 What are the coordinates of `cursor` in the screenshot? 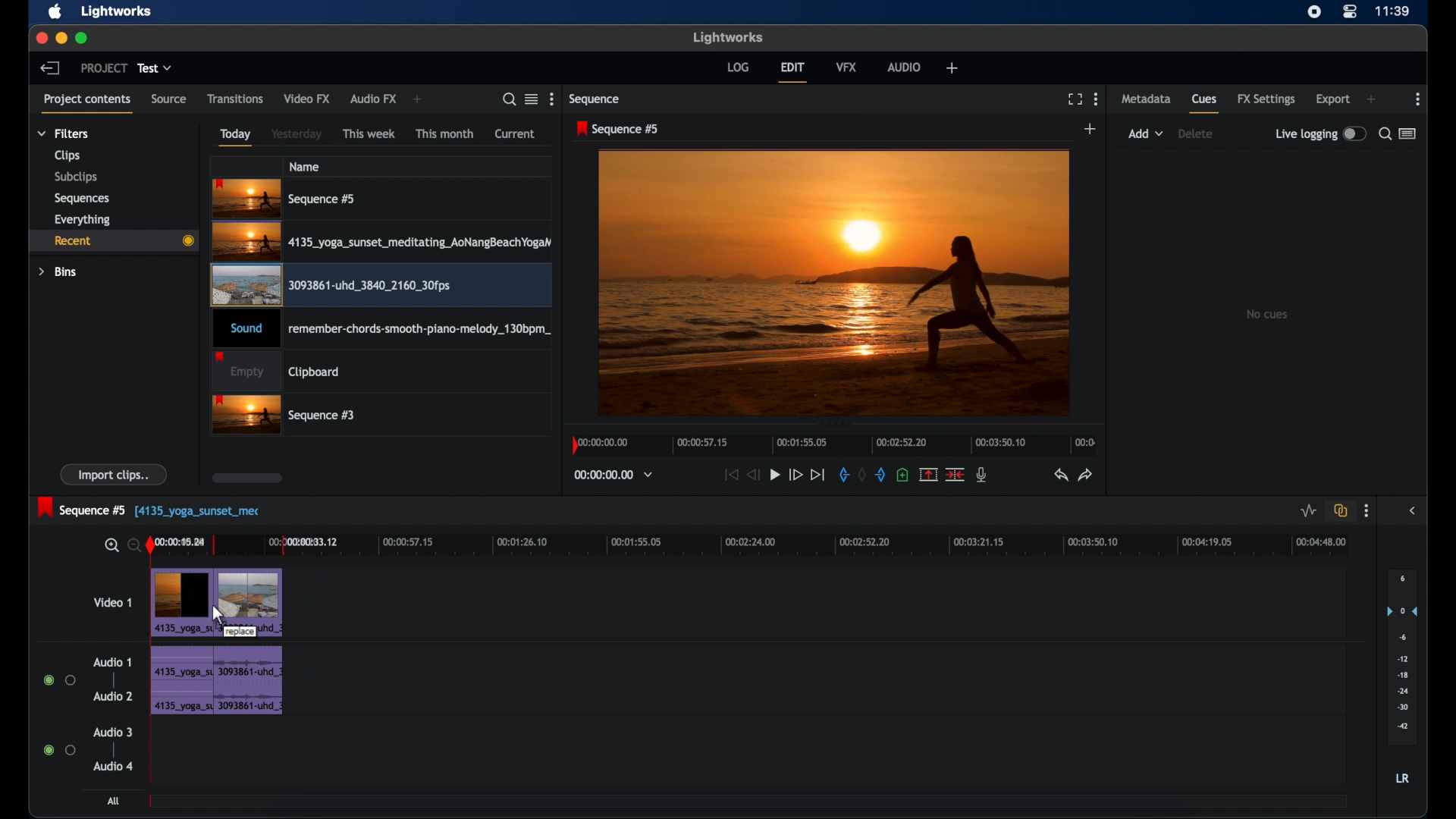 It's located at (220, 615).